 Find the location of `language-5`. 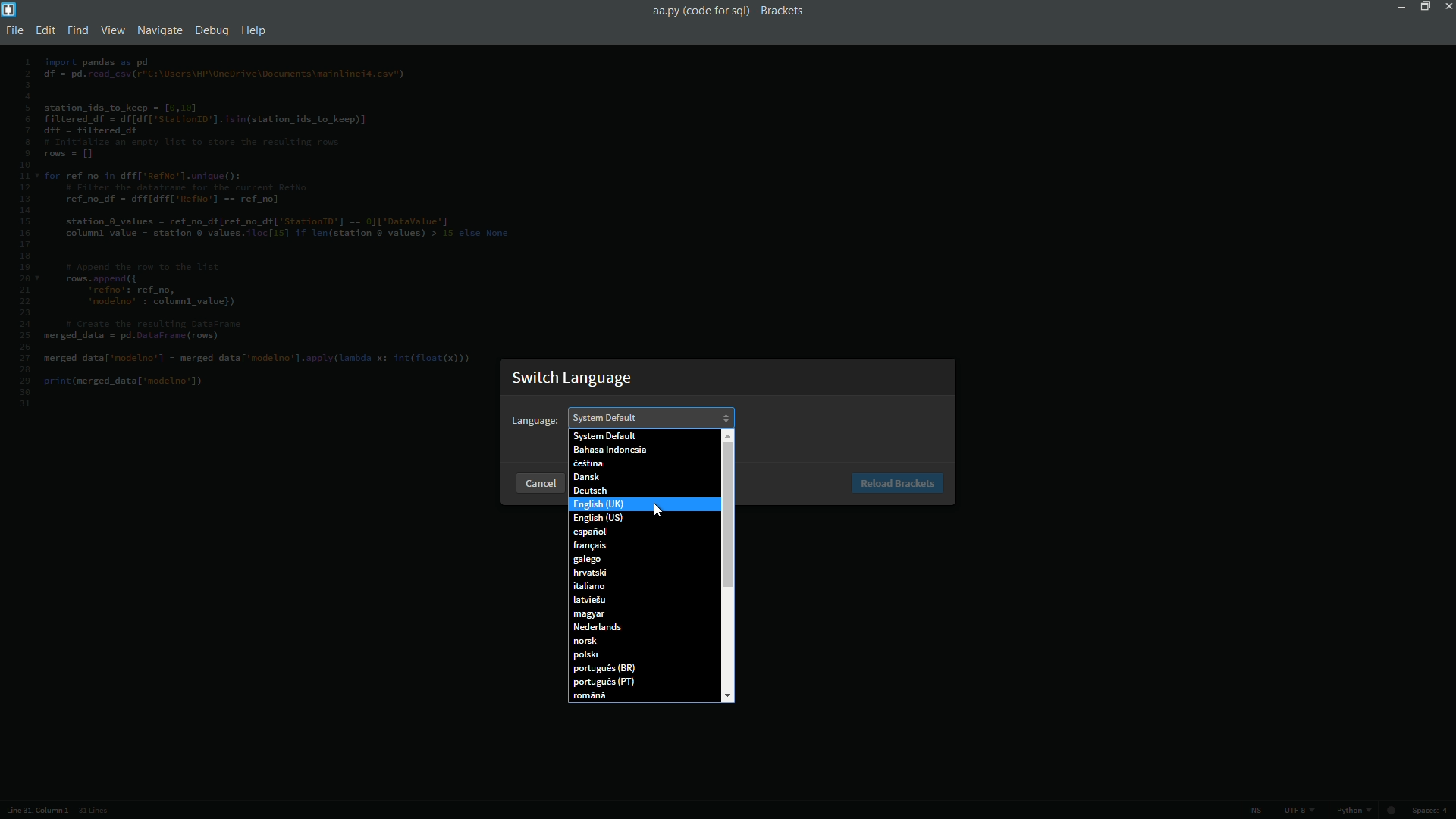

language-5 is located at coordinates (598, 505).